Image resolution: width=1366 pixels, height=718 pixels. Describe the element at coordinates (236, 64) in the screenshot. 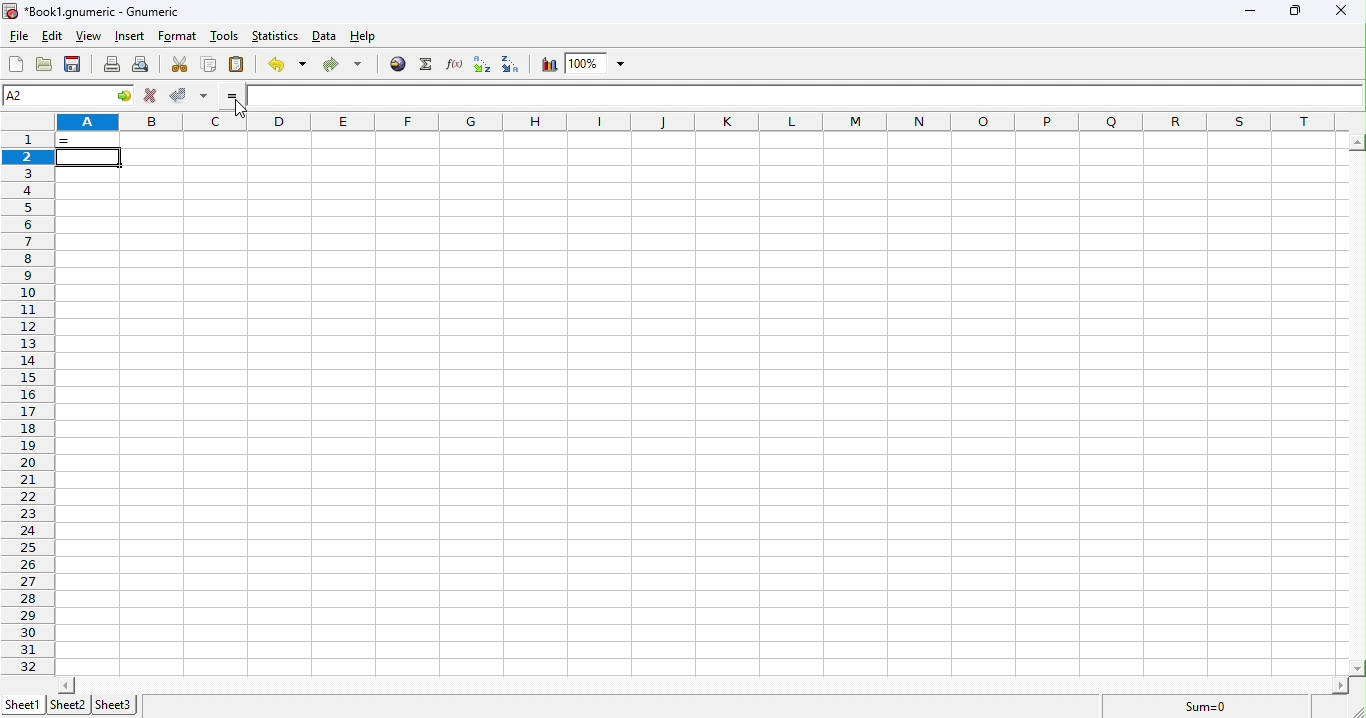

I see `paste` at that location.